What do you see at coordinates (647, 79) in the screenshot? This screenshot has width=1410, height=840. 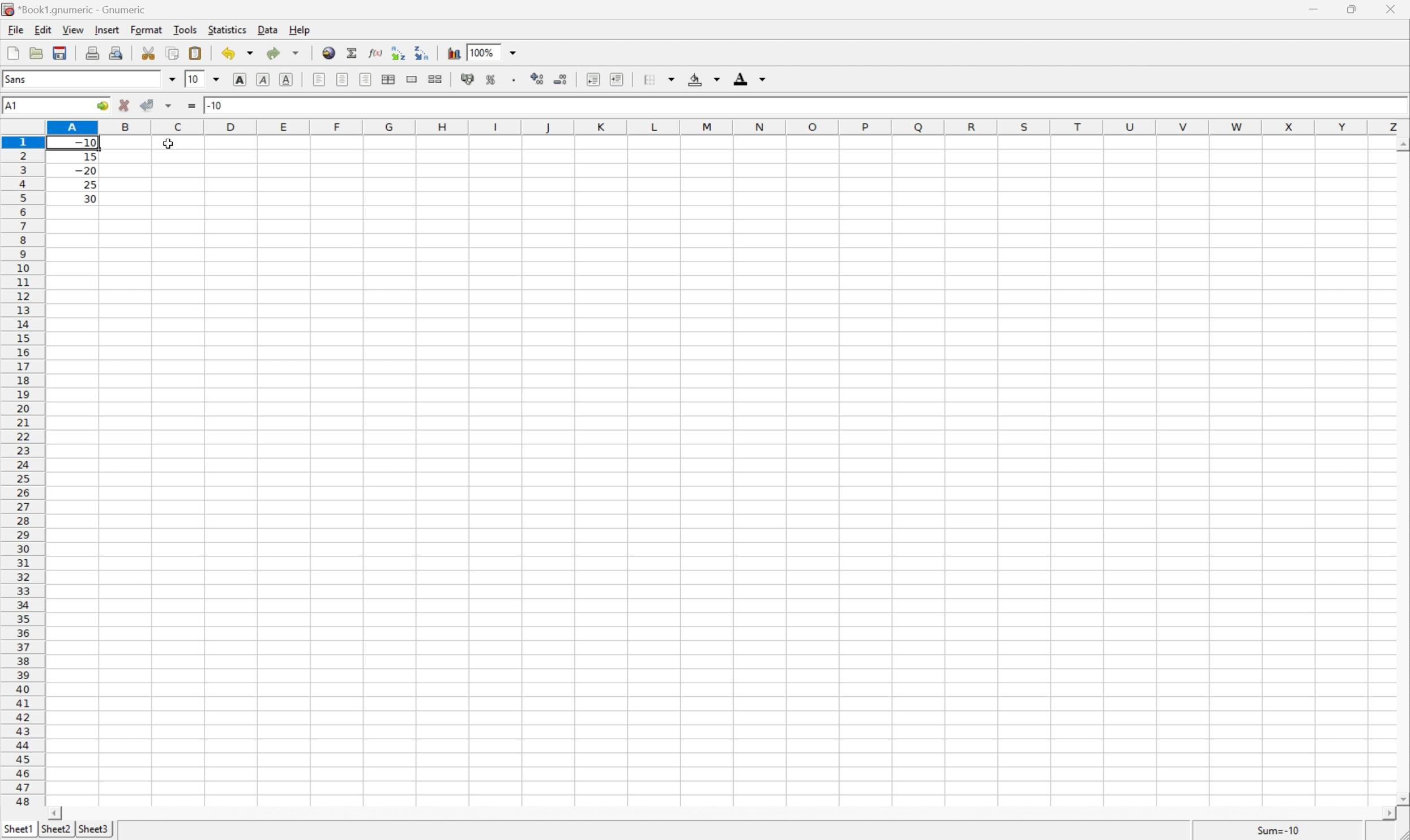 I see `Borders` at bounding box center [647, 79].